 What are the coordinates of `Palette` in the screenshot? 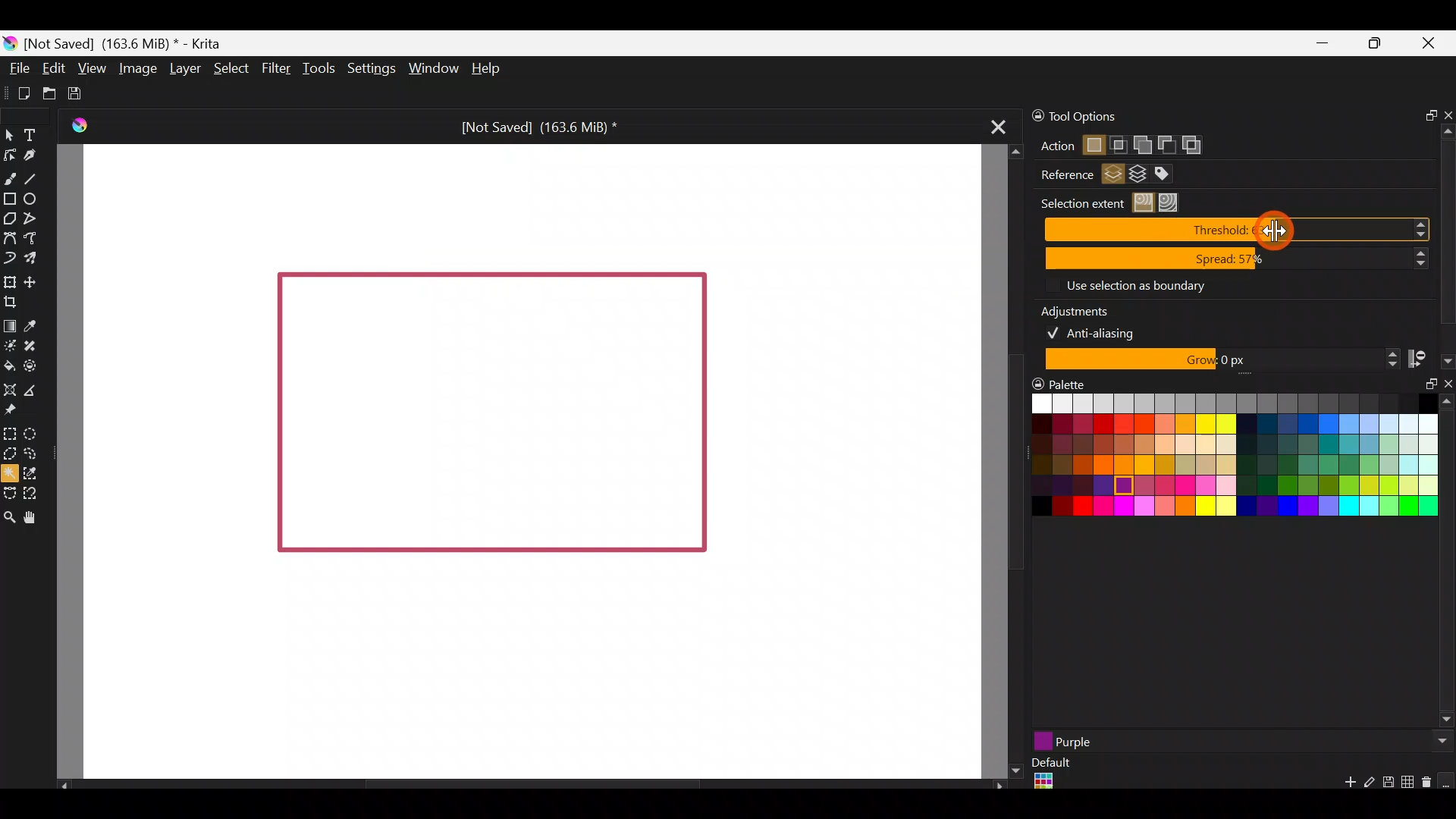 It's located at (1061, 383).